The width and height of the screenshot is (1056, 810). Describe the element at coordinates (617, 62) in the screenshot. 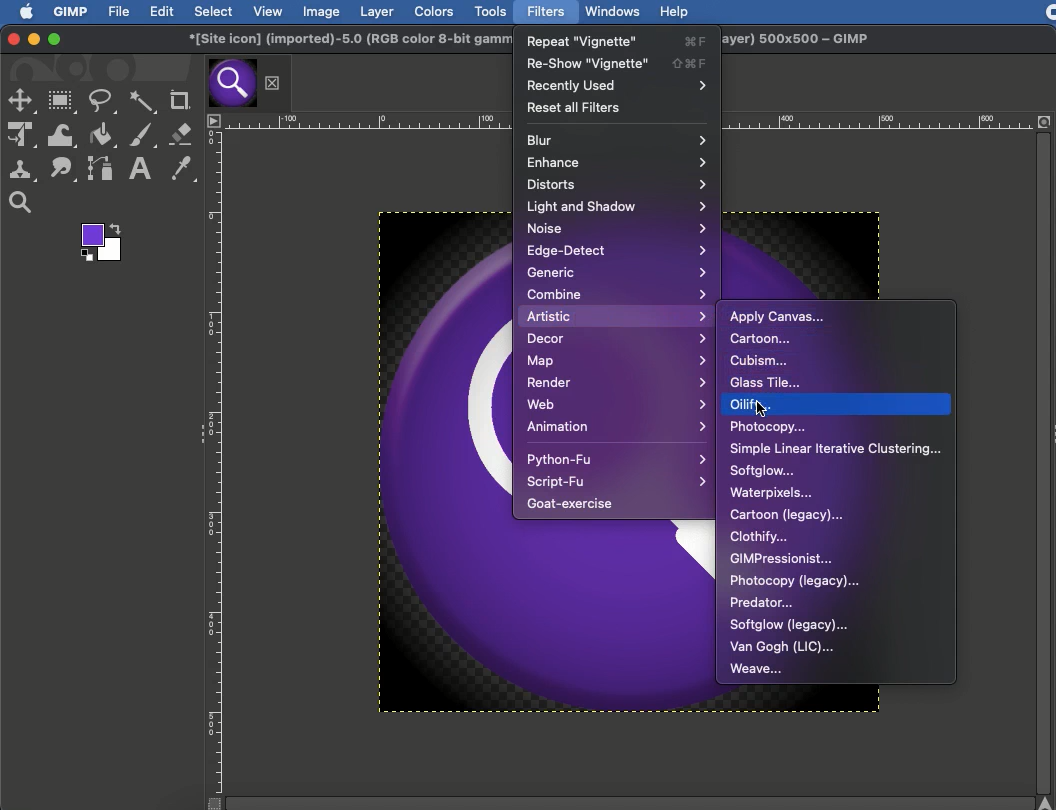

I see `Re-show vignette` at that location.